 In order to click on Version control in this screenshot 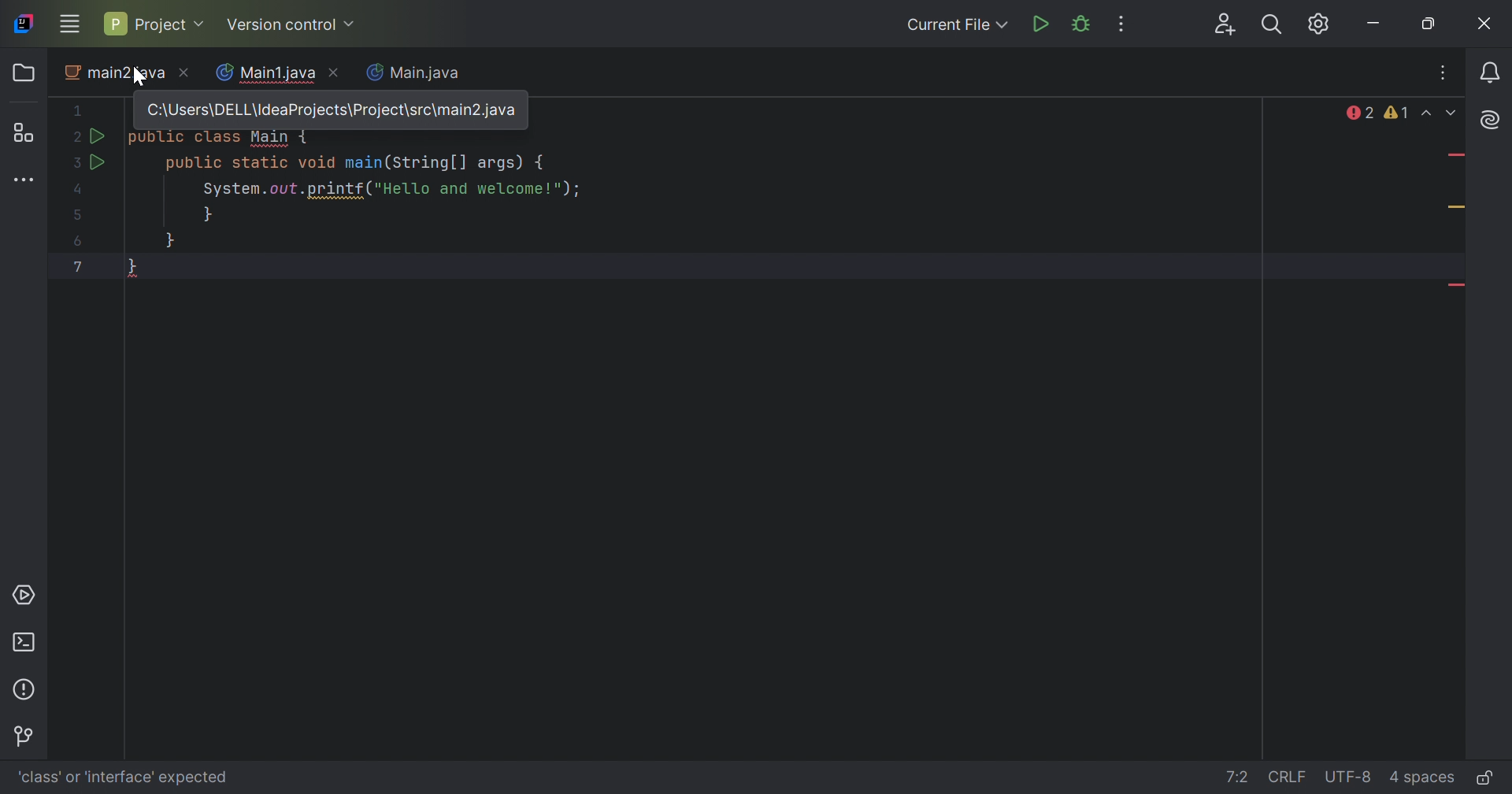, I will do `click(28, 737)`.